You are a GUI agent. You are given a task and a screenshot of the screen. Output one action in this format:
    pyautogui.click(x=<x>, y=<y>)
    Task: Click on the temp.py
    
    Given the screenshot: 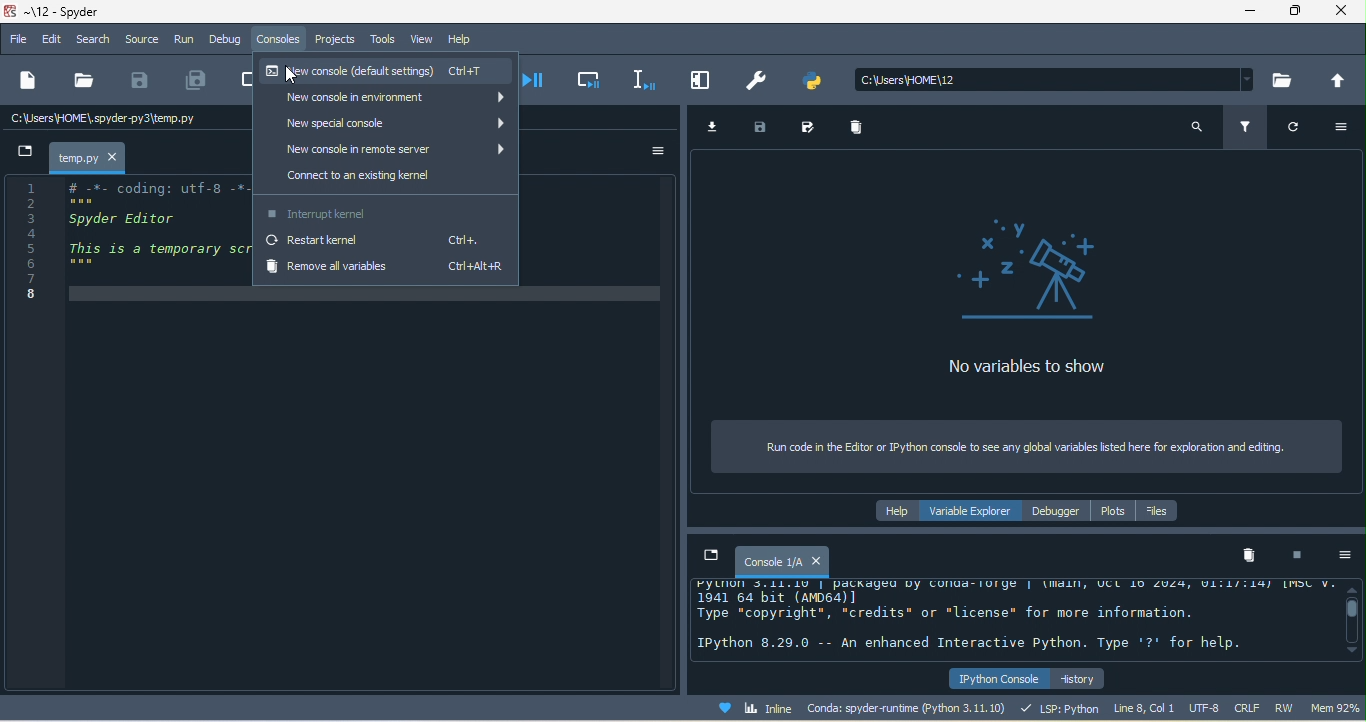 What is the action you would take?
    pyautogui.click(x=88, y=158)
    